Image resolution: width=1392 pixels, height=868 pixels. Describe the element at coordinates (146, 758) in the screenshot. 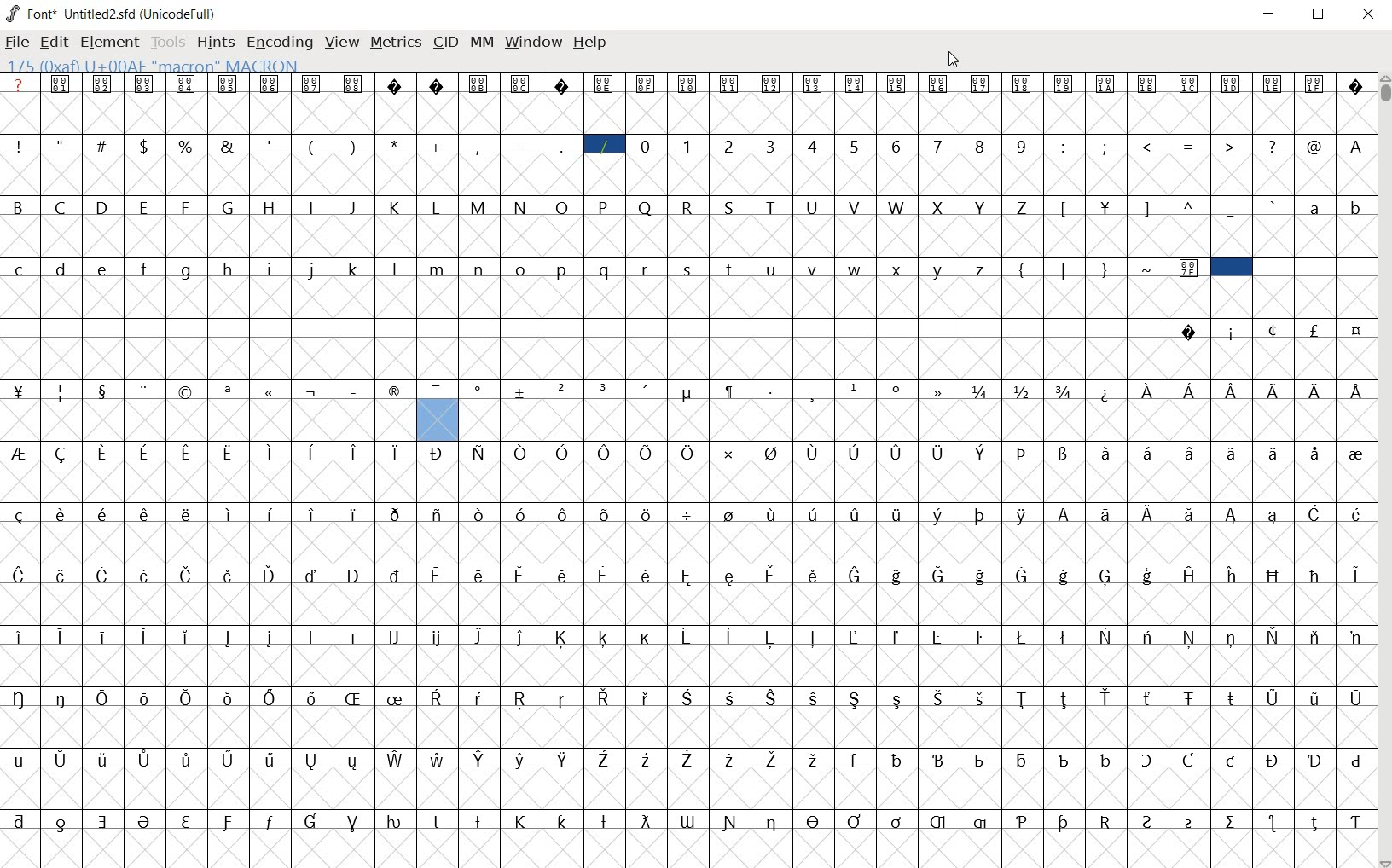

I see `Symbol` at that location.